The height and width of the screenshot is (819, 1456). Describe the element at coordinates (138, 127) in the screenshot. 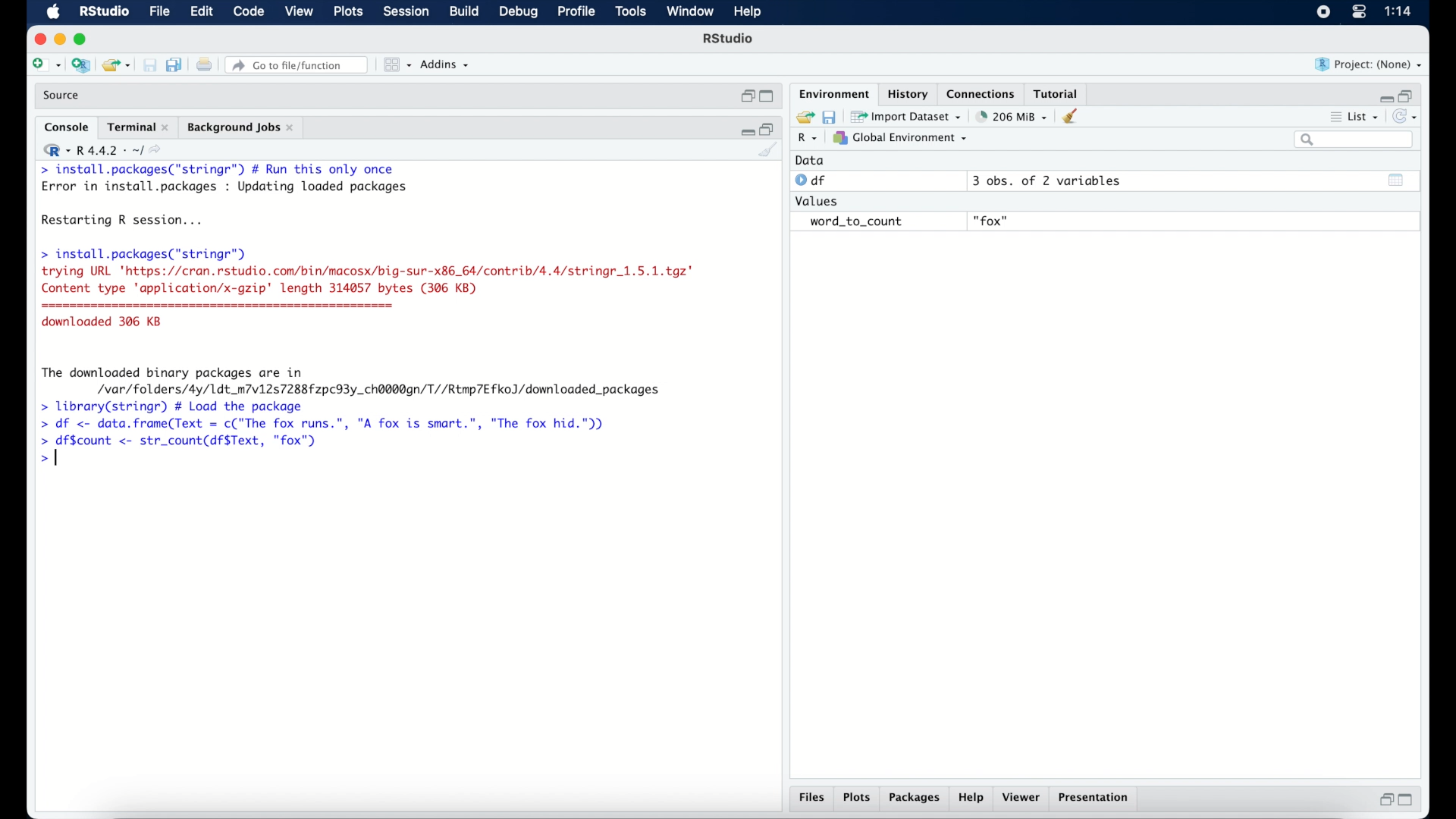

I see `terminal` at that location.